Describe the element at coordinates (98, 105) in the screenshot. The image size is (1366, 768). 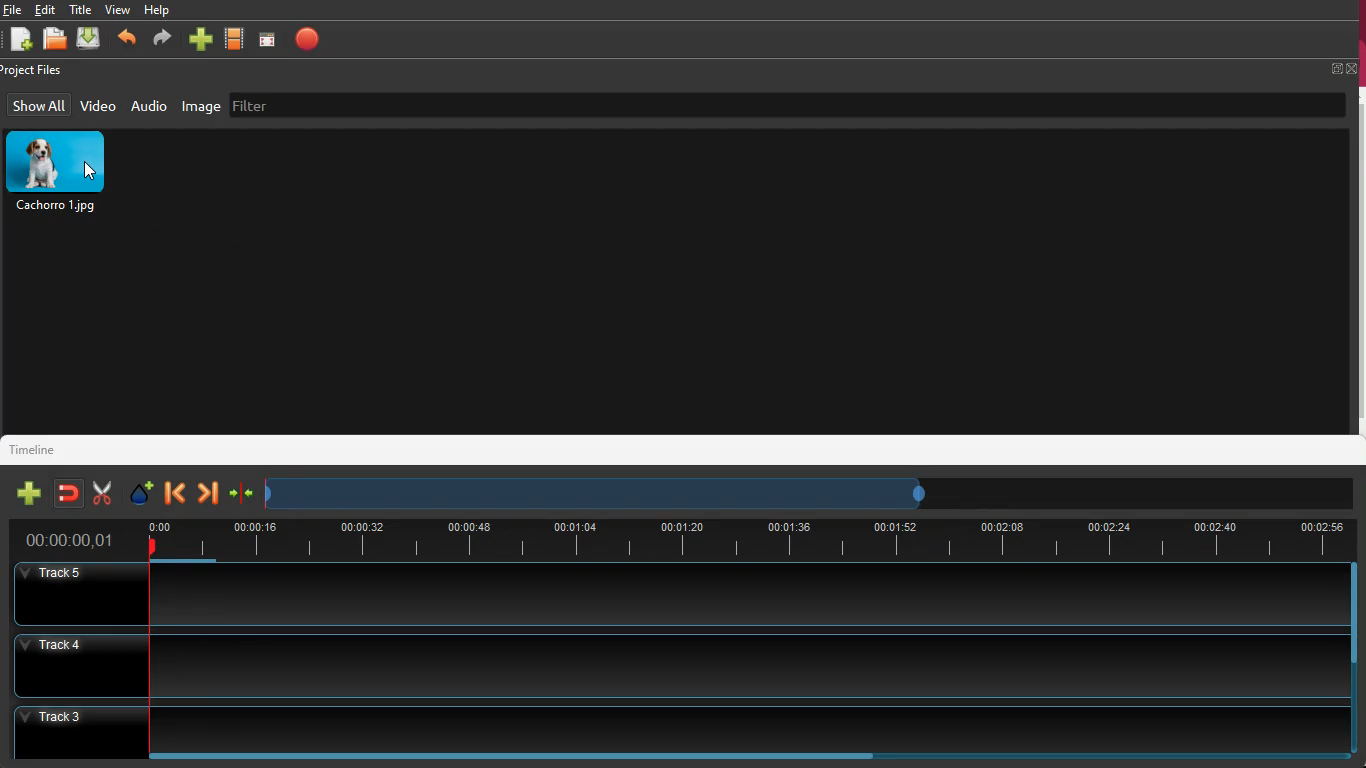
I see `video` at that location.